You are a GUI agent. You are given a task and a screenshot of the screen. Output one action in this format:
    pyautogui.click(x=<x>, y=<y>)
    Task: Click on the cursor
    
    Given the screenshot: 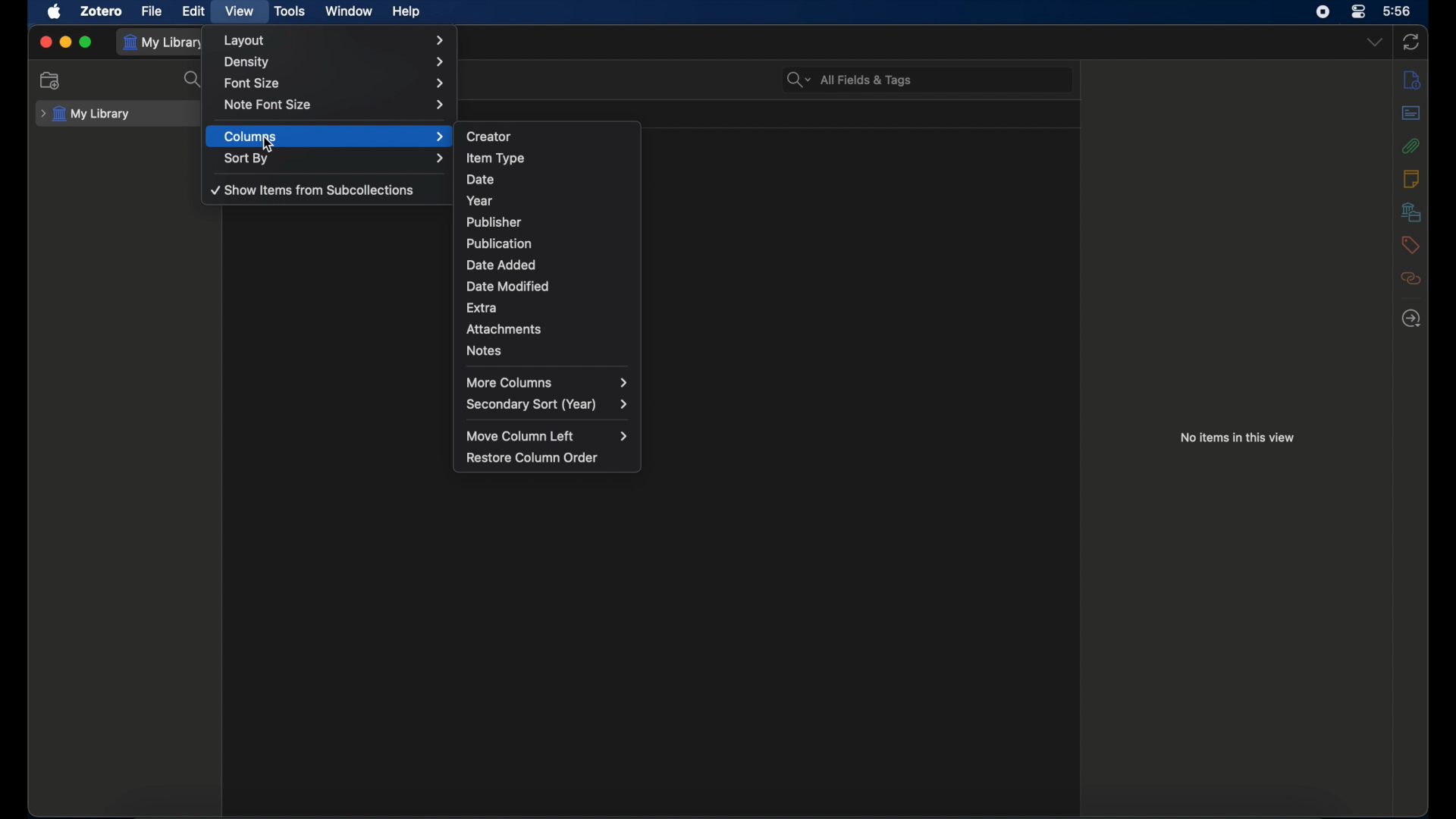 What is the action you would take?
    pyautogui.click(x=268, y=143)
    